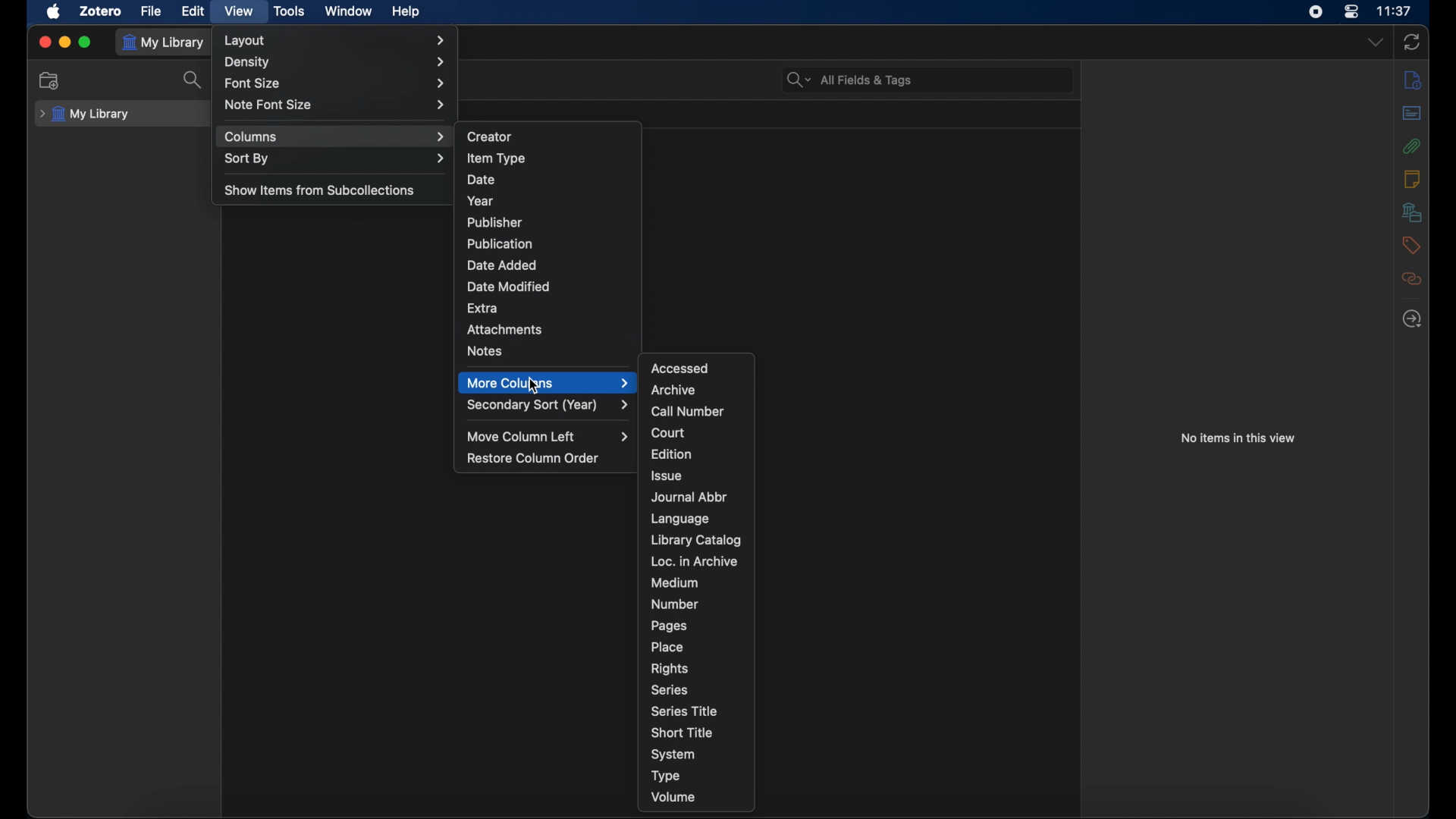 The image size is (1456, 819). I want to click on journal abbr, so click(689, 497).